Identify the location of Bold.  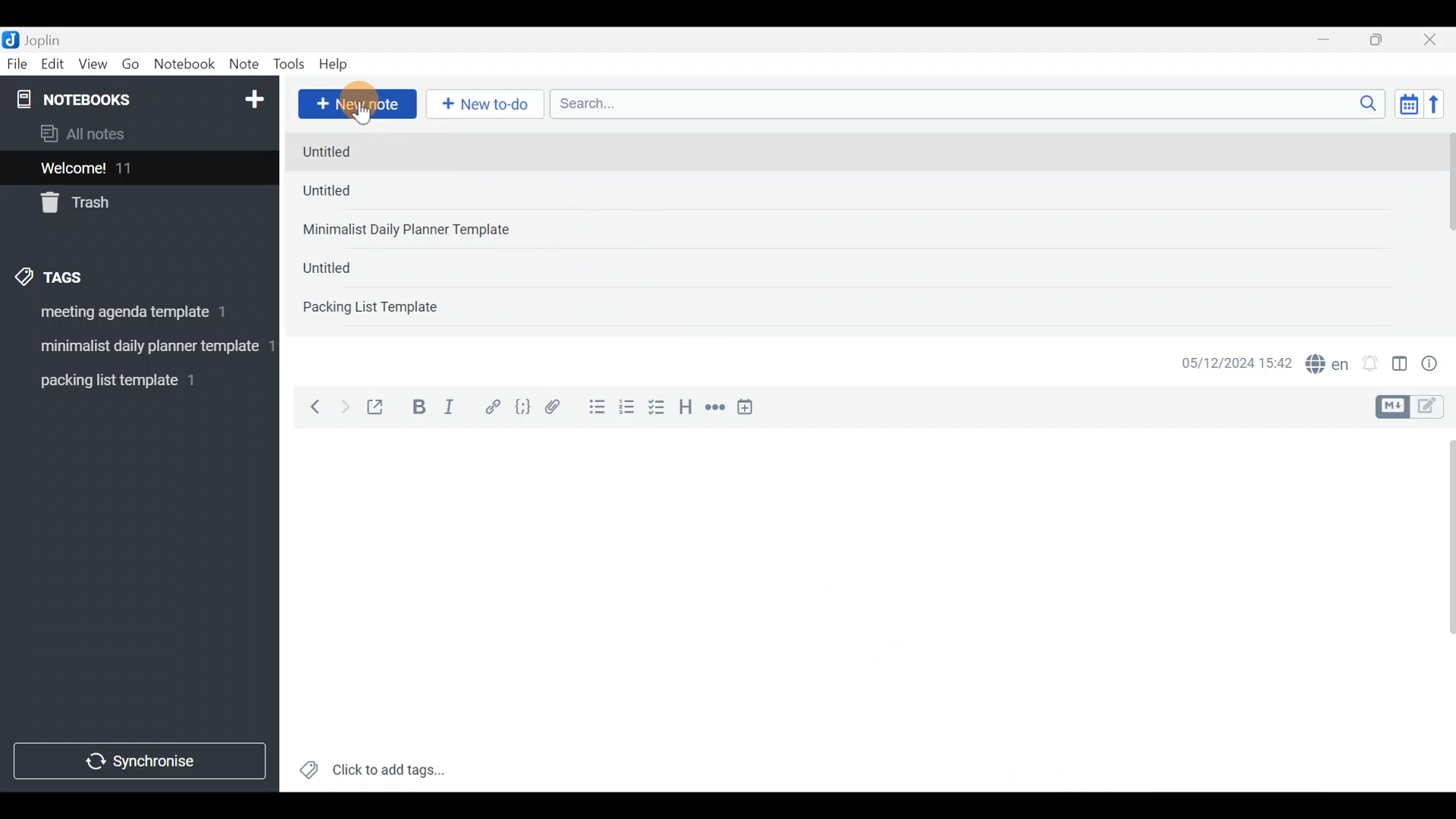
(418, 409).